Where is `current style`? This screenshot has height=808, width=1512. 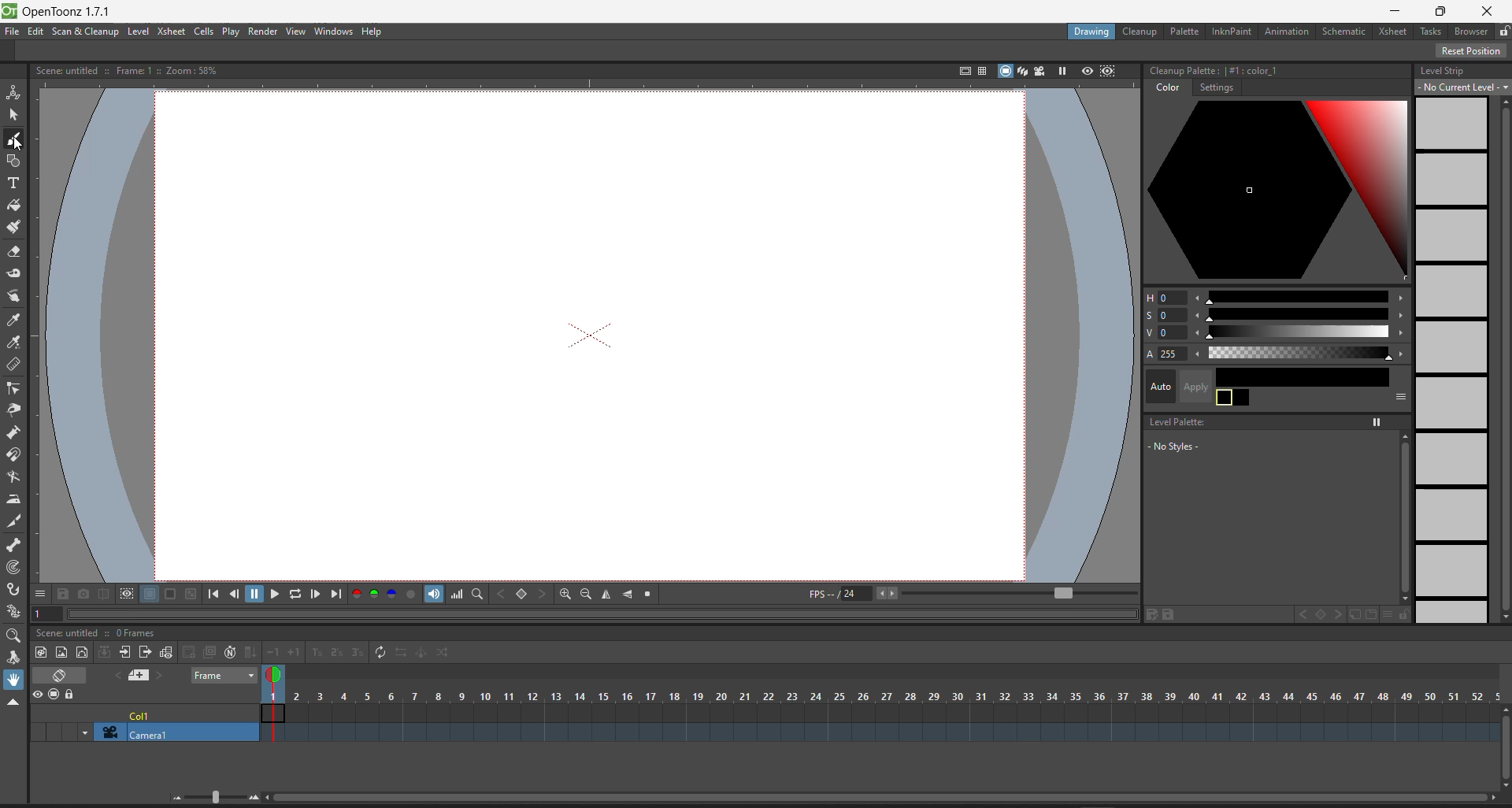
current style is located at coordinates (1305, 373).